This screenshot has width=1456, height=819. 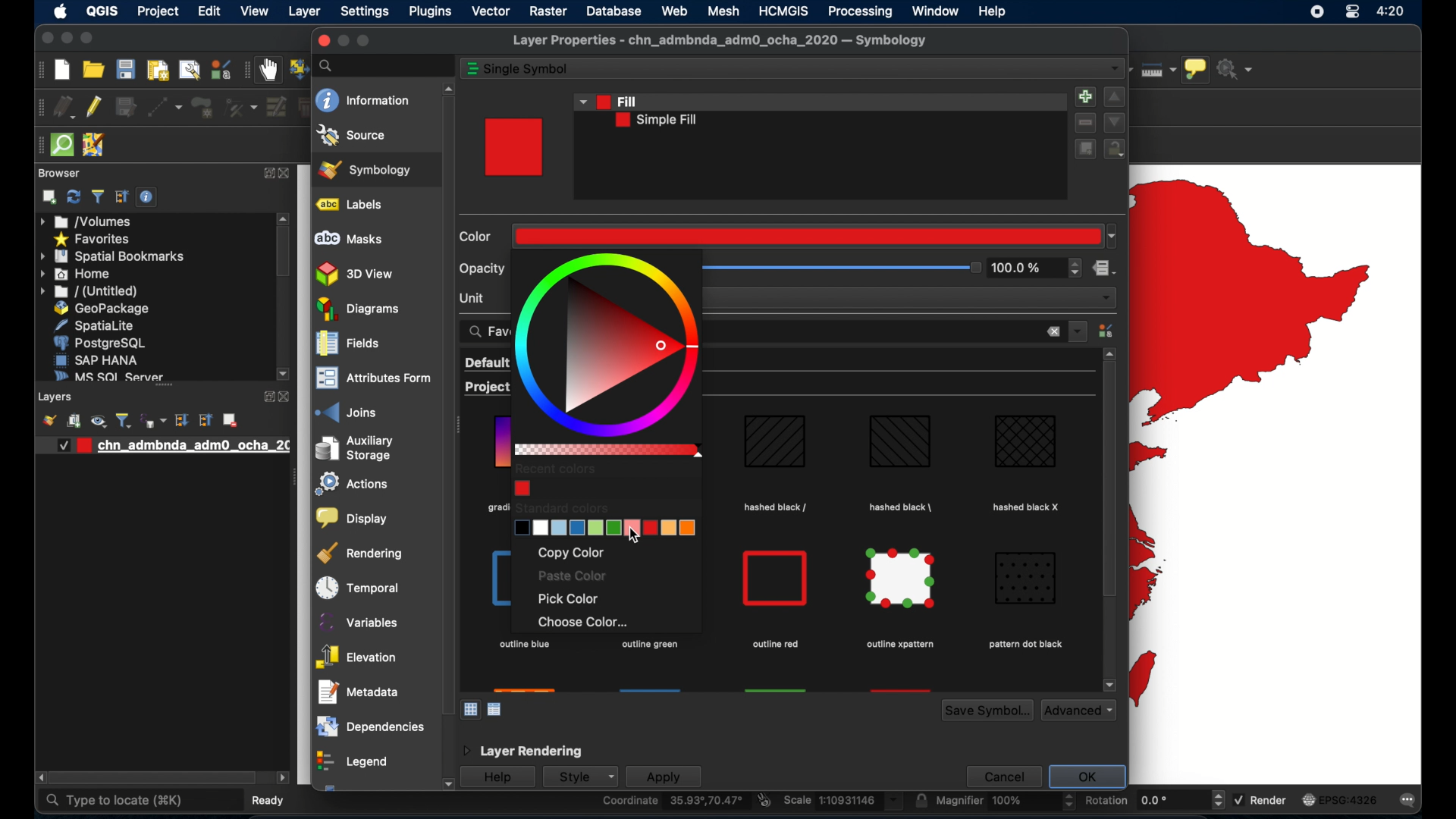 I want to click on temporal, so click(x=354, y=588).